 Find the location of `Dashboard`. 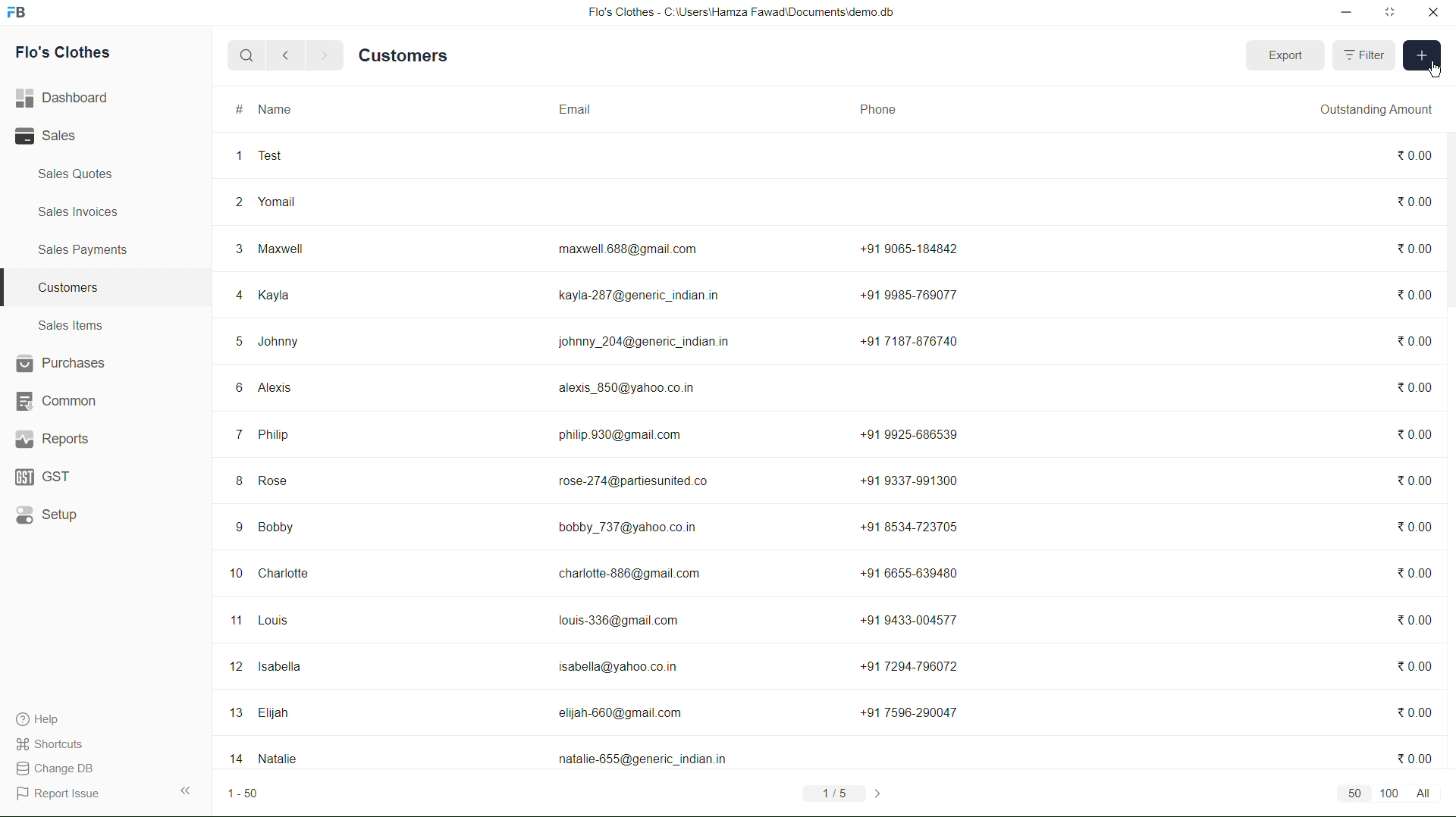

Dashboard is located at coordinates (67, 95).